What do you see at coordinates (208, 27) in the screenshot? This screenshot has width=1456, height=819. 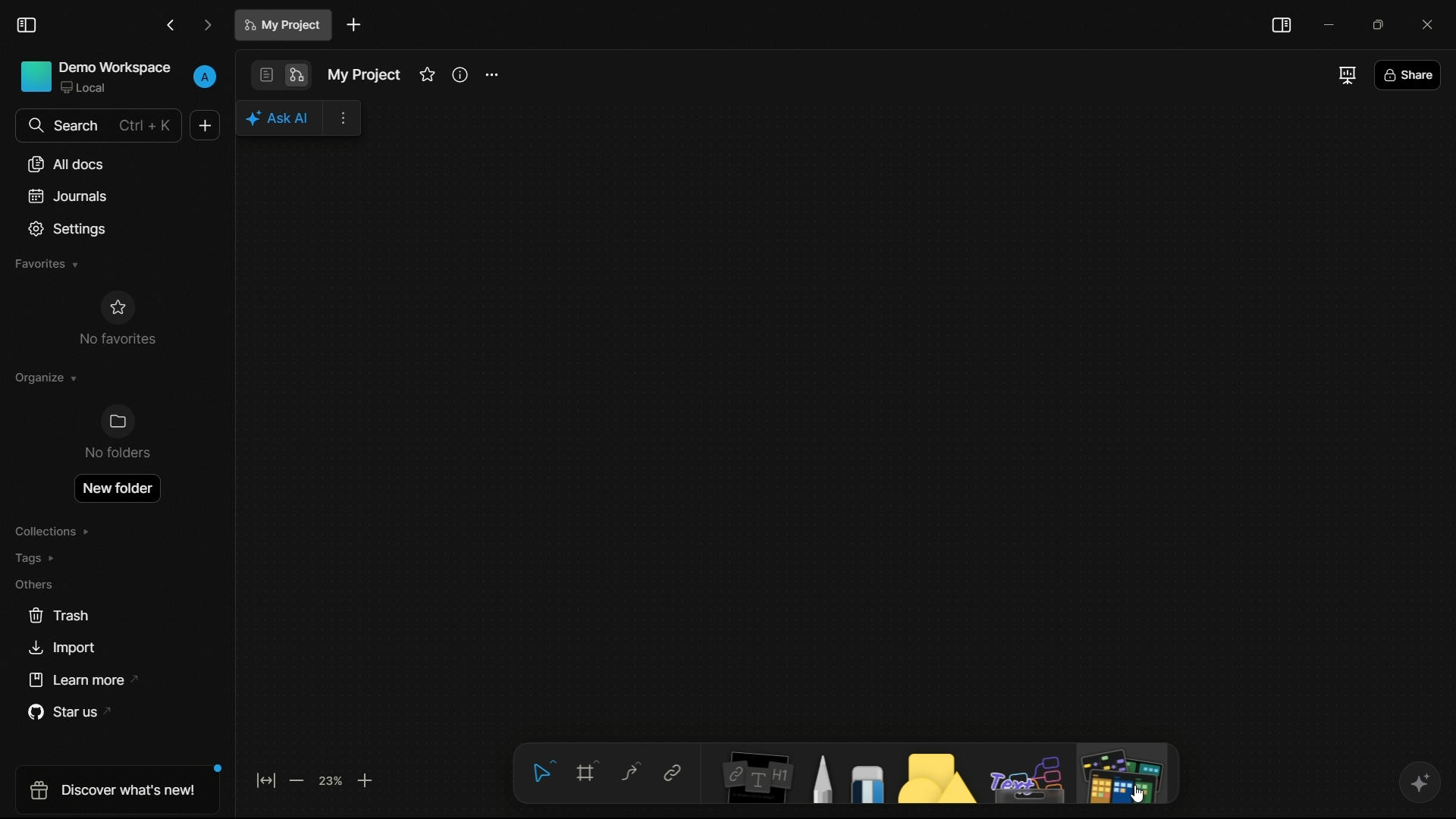 I see `forward` at bounding box center [208, 27].